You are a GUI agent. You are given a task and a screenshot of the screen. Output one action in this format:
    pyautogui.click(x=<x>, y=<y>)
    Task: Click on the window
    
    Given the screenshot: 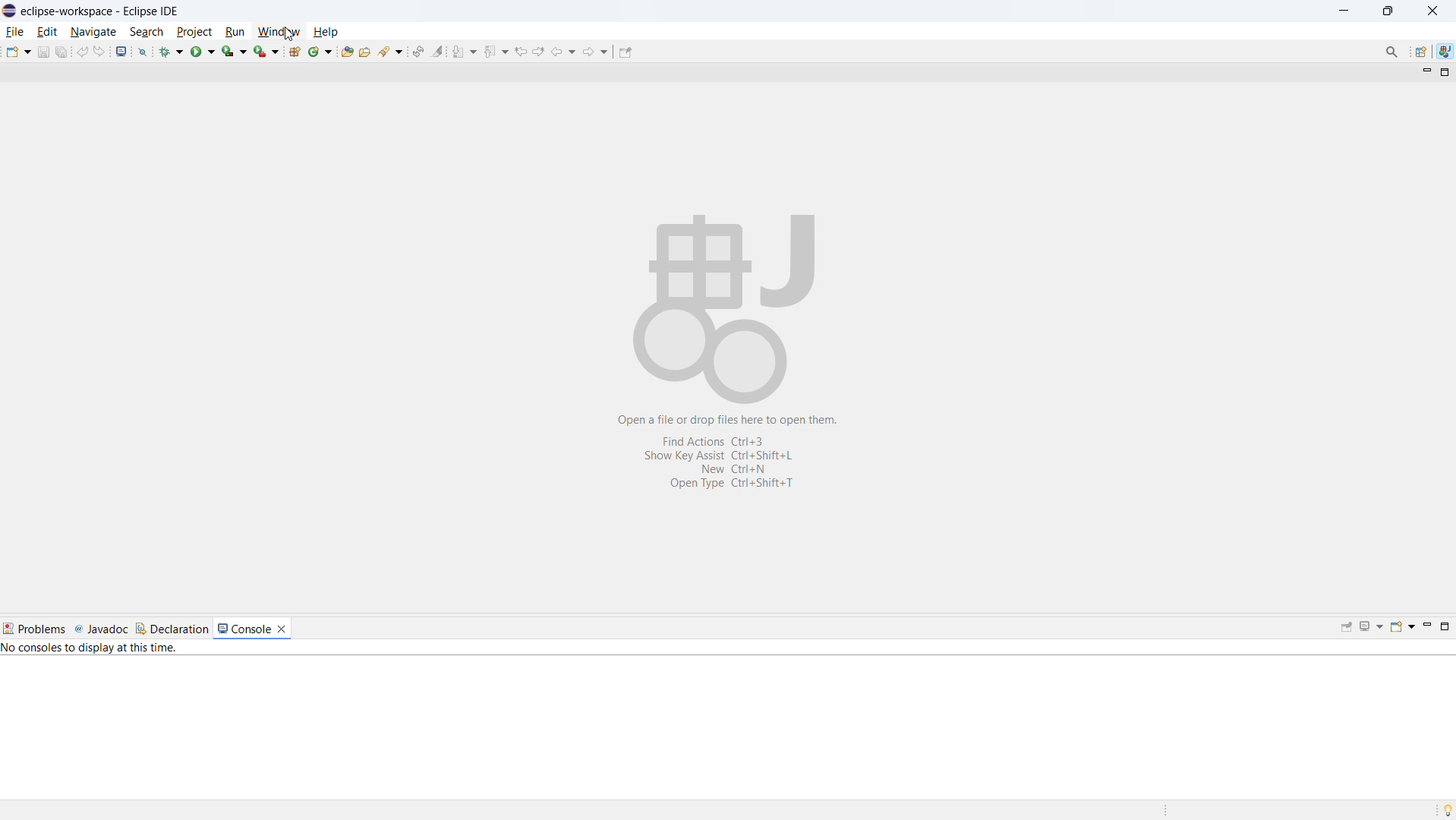 What is the action you would take?
    pyautogui.click(x=279, y=31)
    